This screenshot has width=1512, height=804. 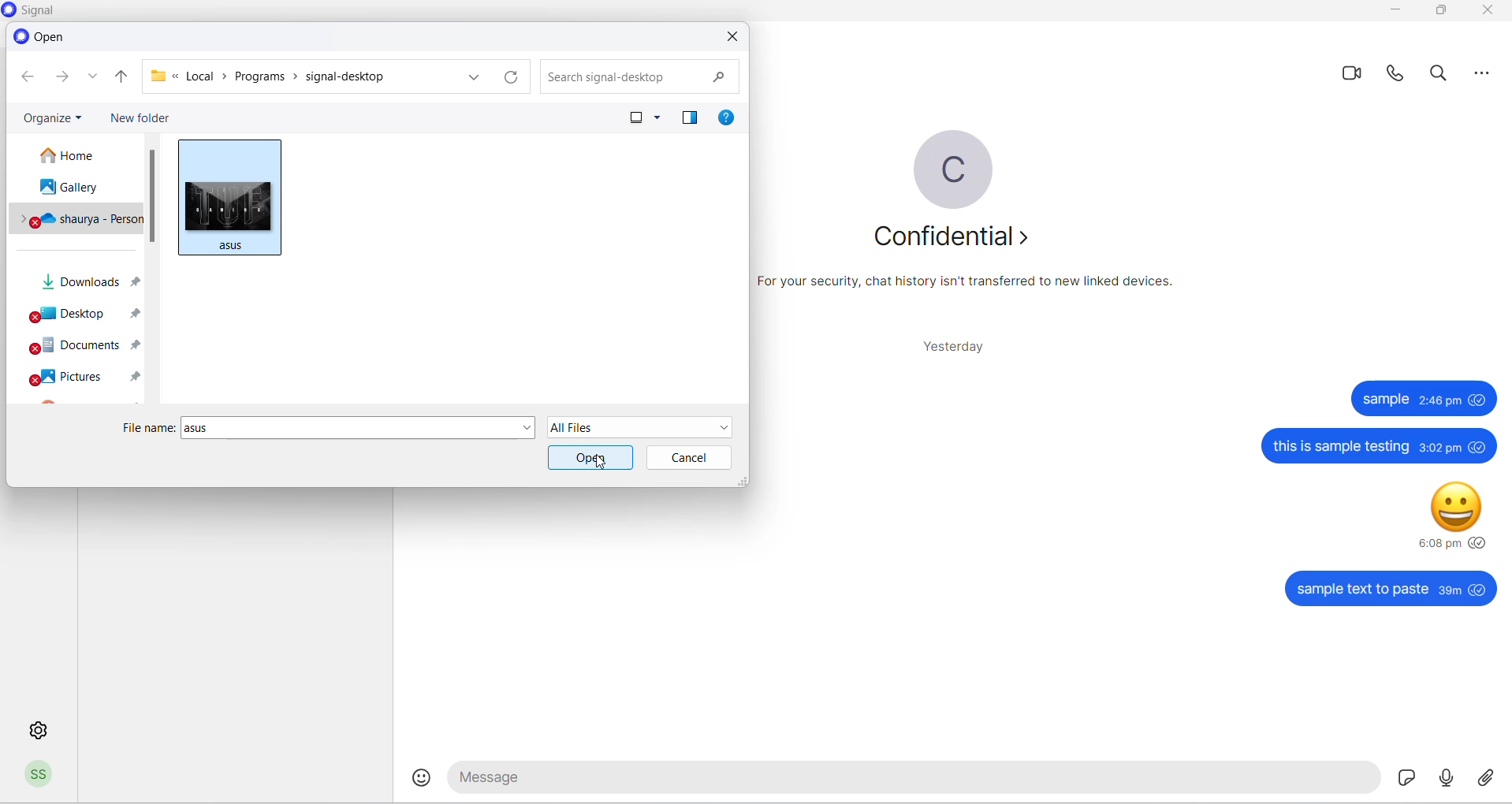 I want to click on application name and logo, so click(x=43, y=11).